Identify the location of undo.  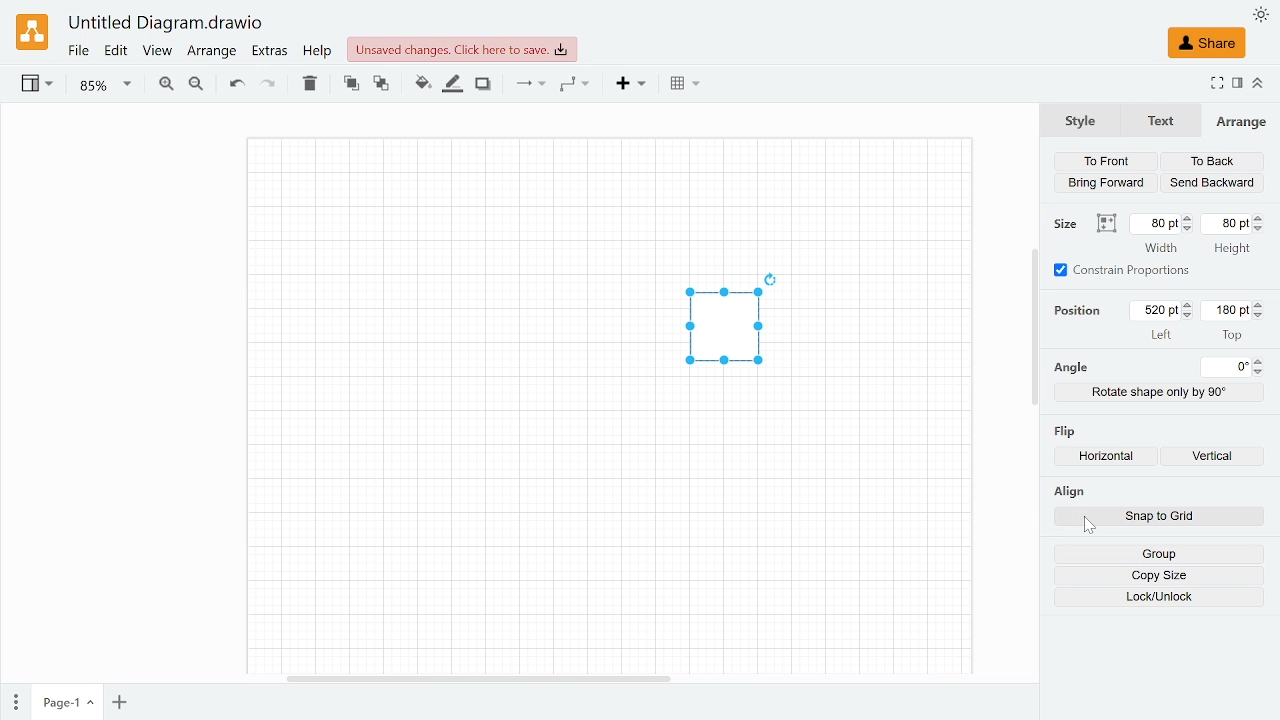
(234, 84).